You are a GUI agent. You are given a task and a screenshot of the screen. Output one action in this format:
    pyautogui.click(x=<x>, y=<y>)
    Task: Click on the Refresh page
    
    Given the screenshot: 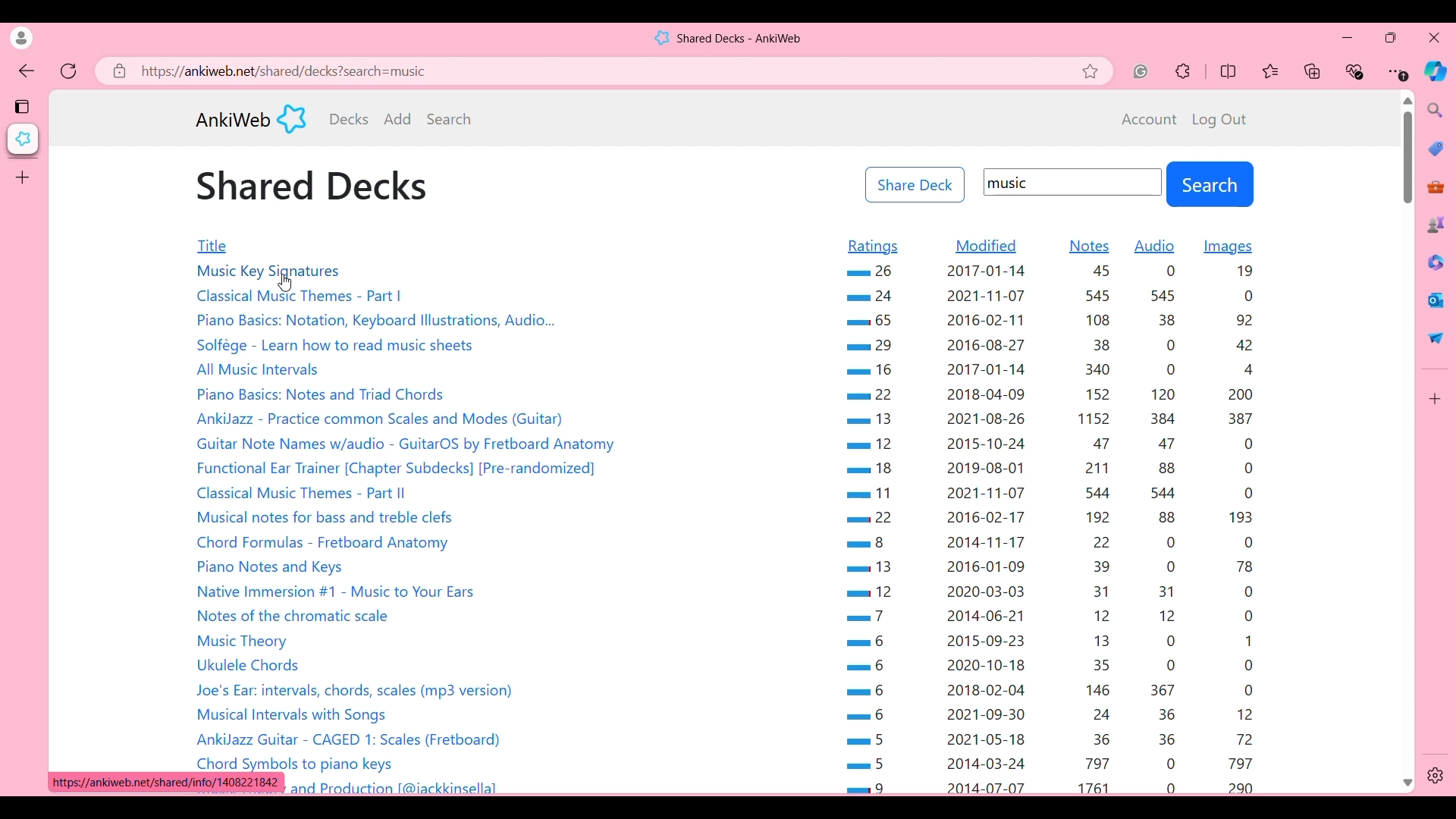 What is the action you would take?
    pyautogui.click(x=69, y=71)
    